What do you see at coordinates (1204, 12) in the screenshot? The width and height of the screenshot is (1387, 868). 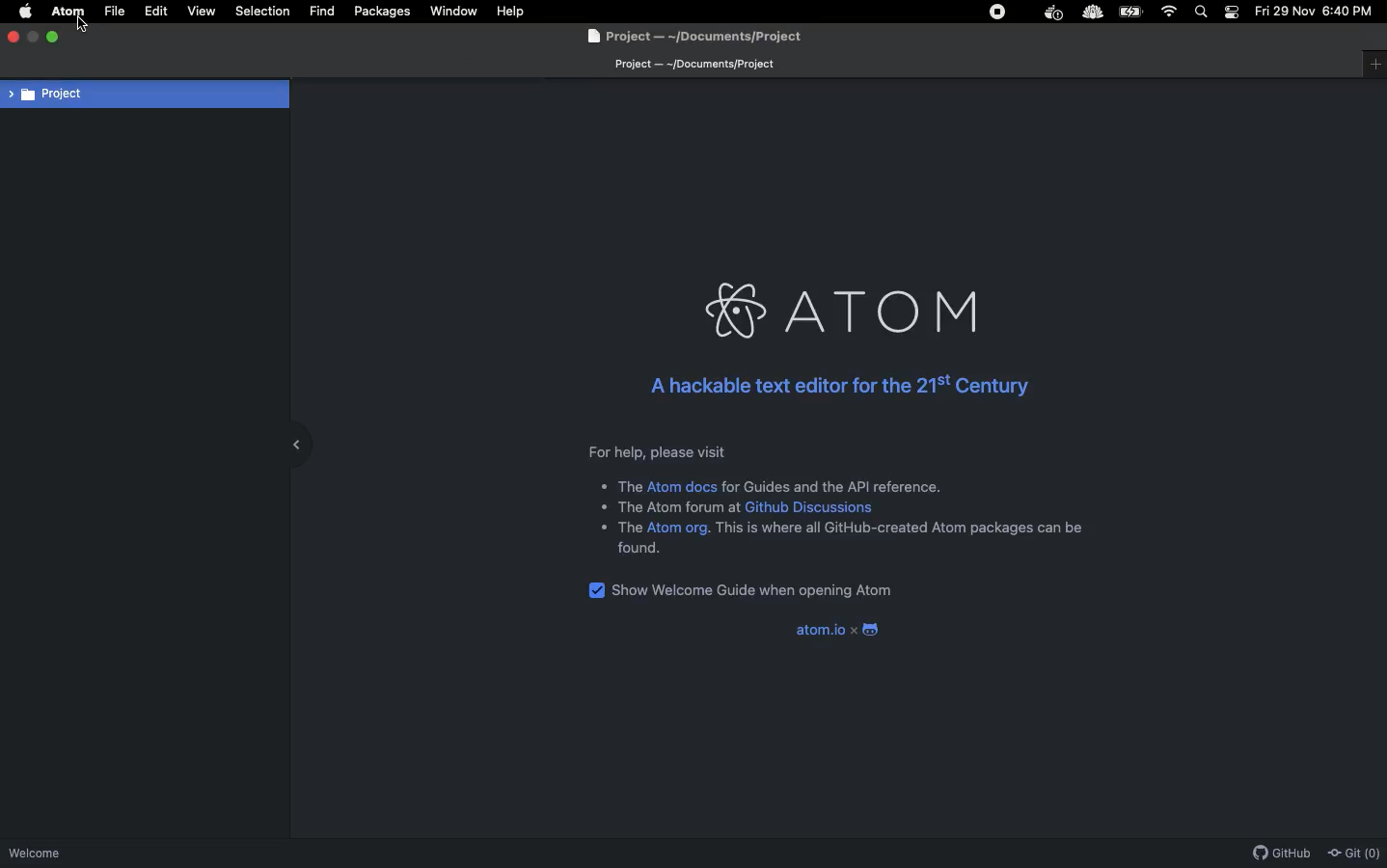 I see `Search` at bounding box center [1204, 12].